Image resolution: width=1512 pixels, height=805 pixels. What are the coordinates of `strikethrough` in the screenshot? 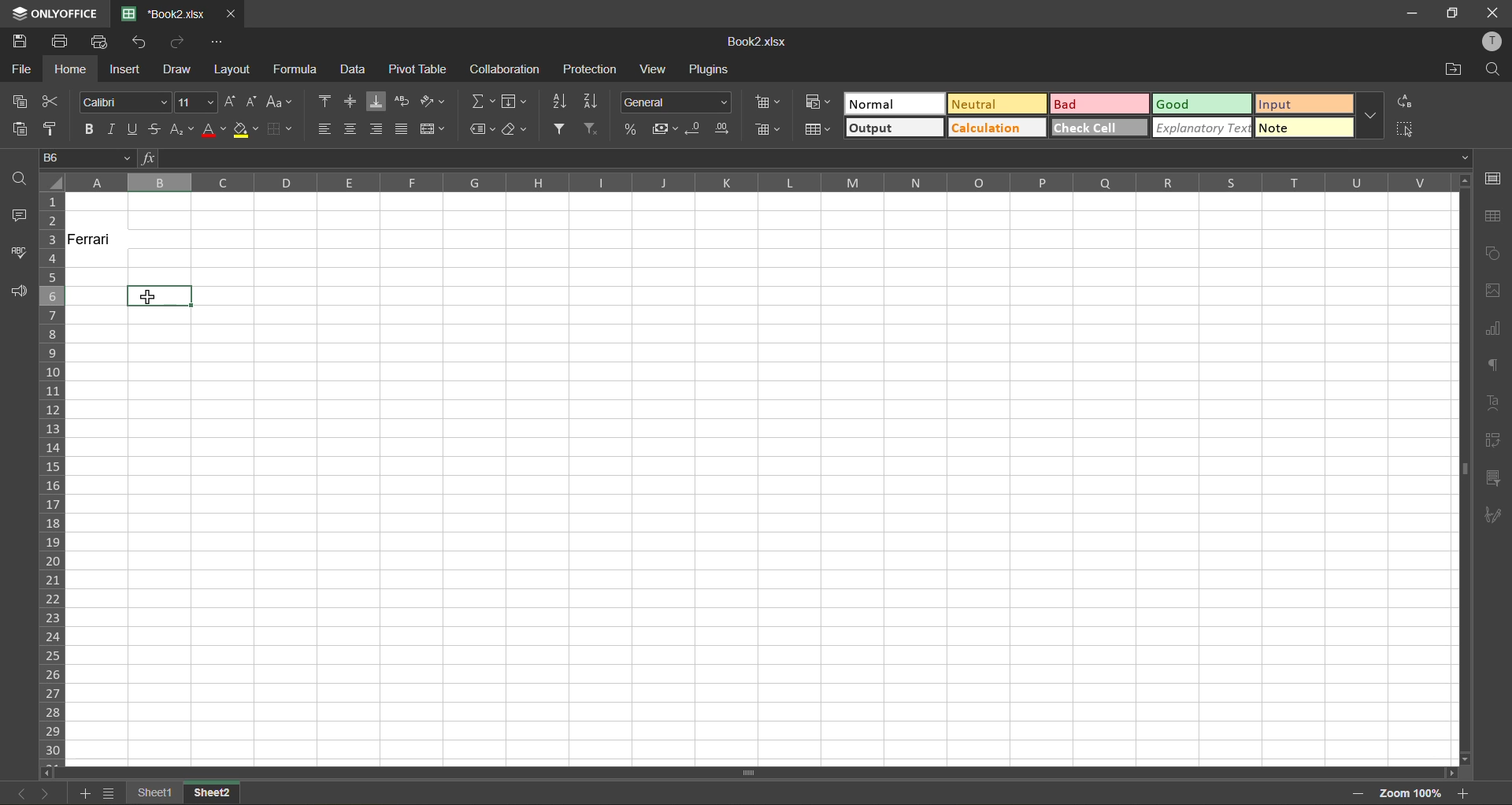 It's located at (156, 129).